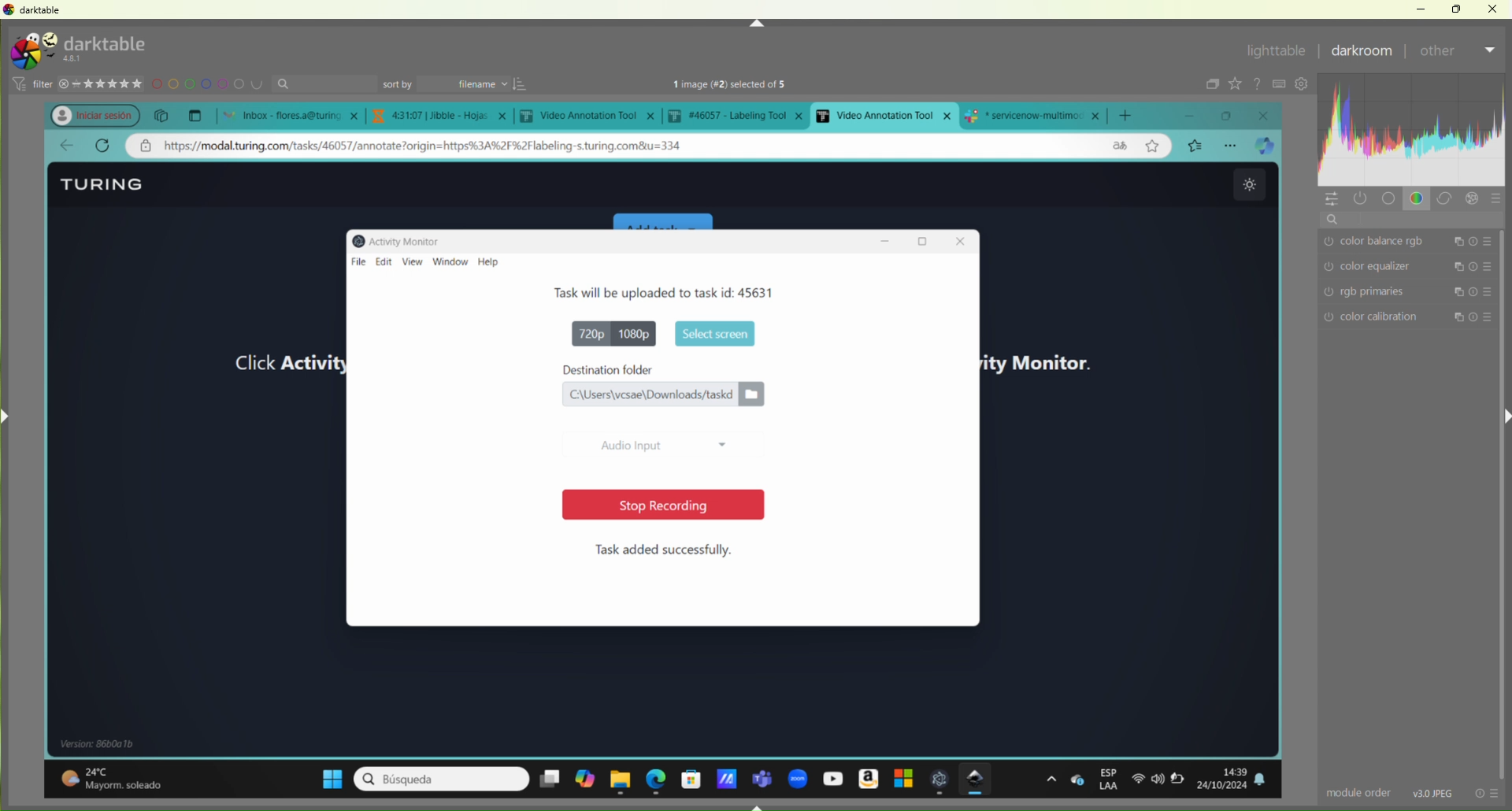 This screenshot has height=811, width=1512. I want to click on tab, so click(740, 115).